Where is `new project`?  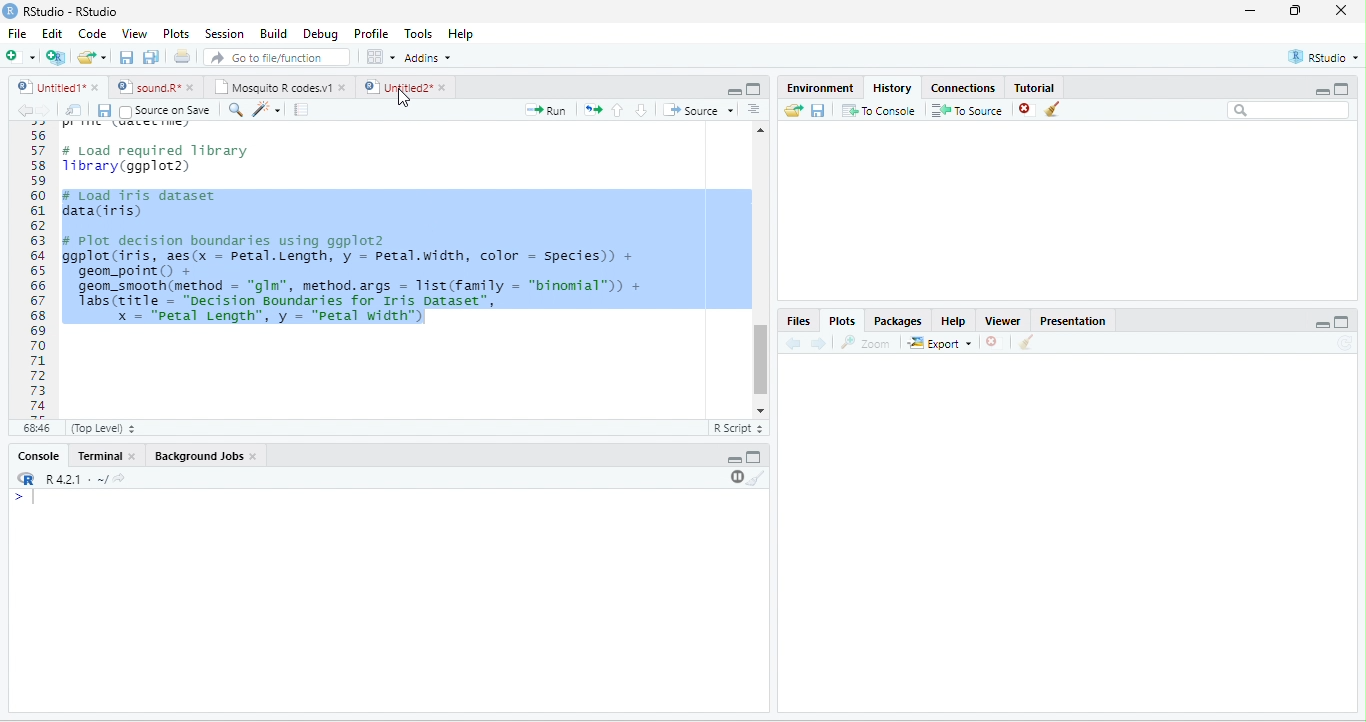
new project is located at coordinates (56, 58).